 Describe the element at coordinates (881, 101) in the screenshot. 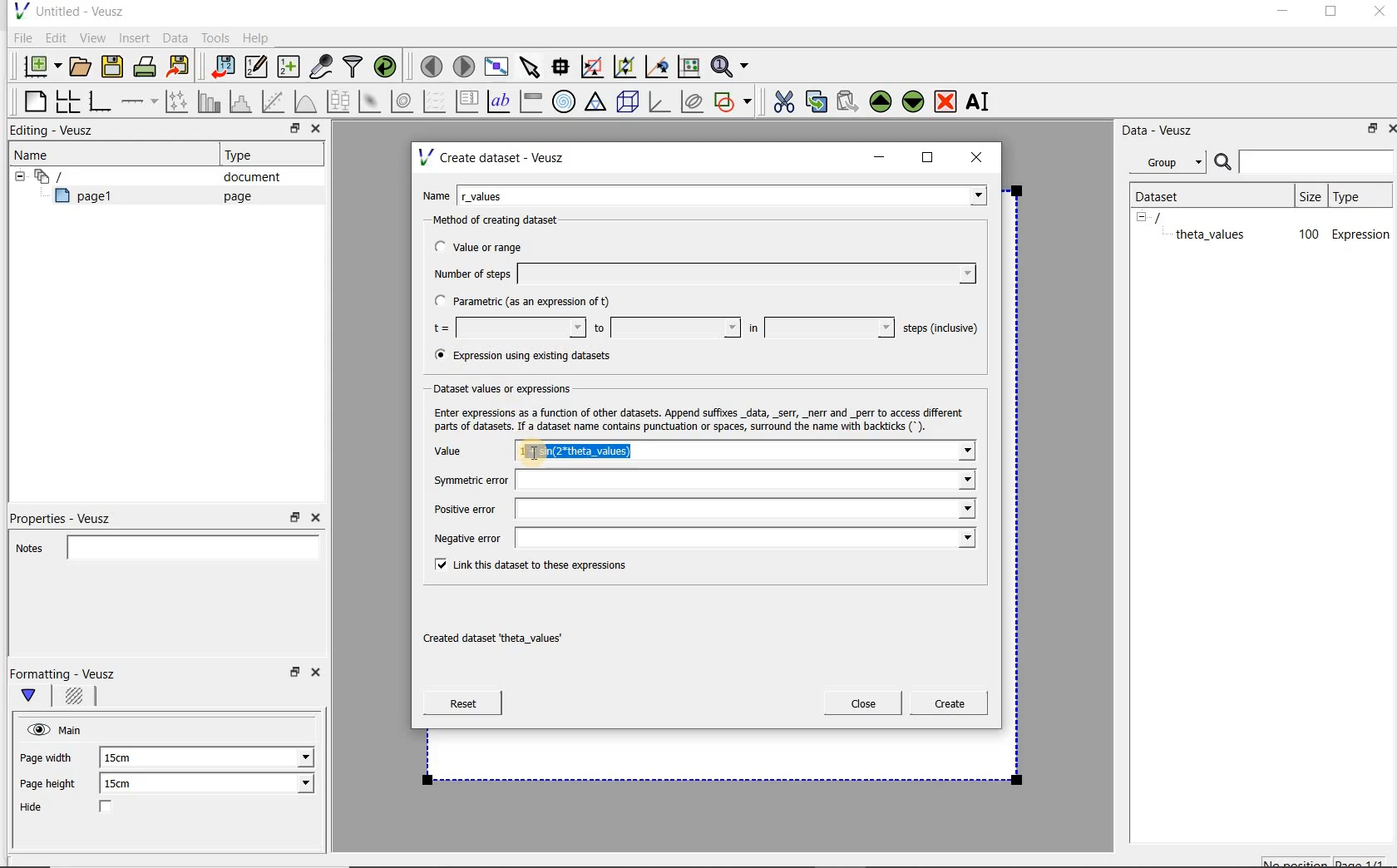

I see `Move the selected widget up` at that location.